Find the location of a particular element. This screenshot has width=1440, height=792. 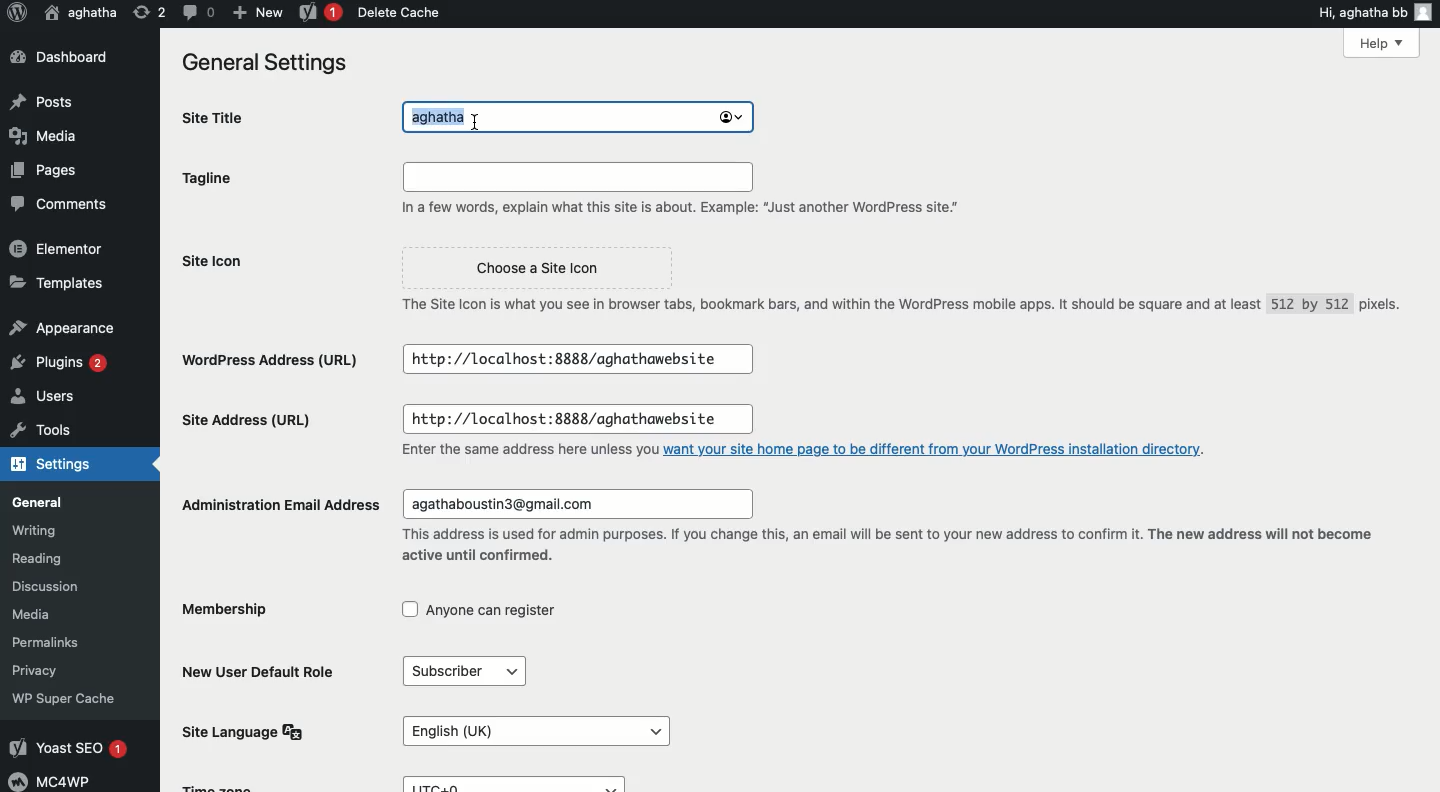

Appearance is located at coordinates (63, 330).